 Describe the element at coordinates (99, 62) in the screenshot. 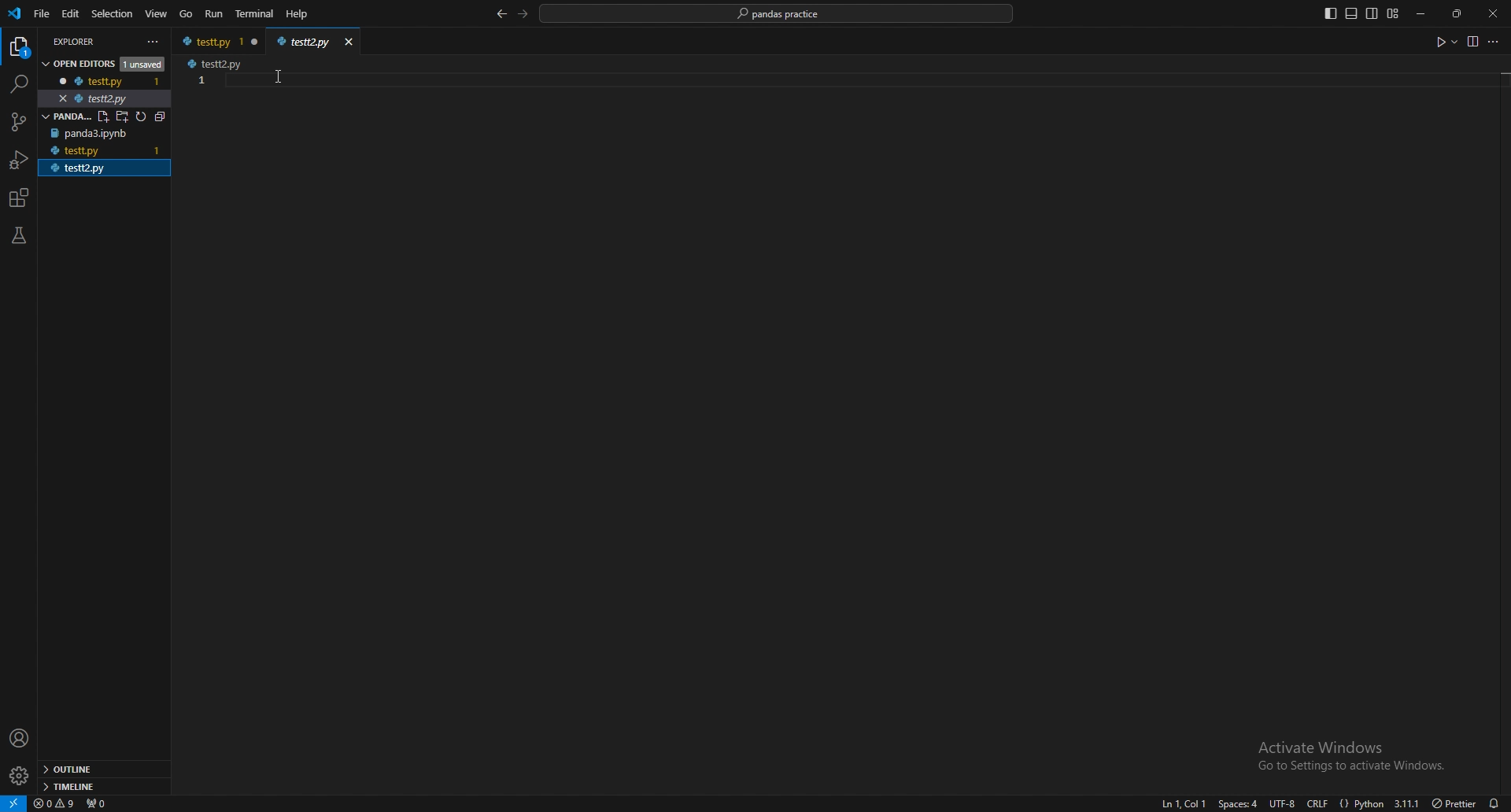

I see `open editors` at that location.